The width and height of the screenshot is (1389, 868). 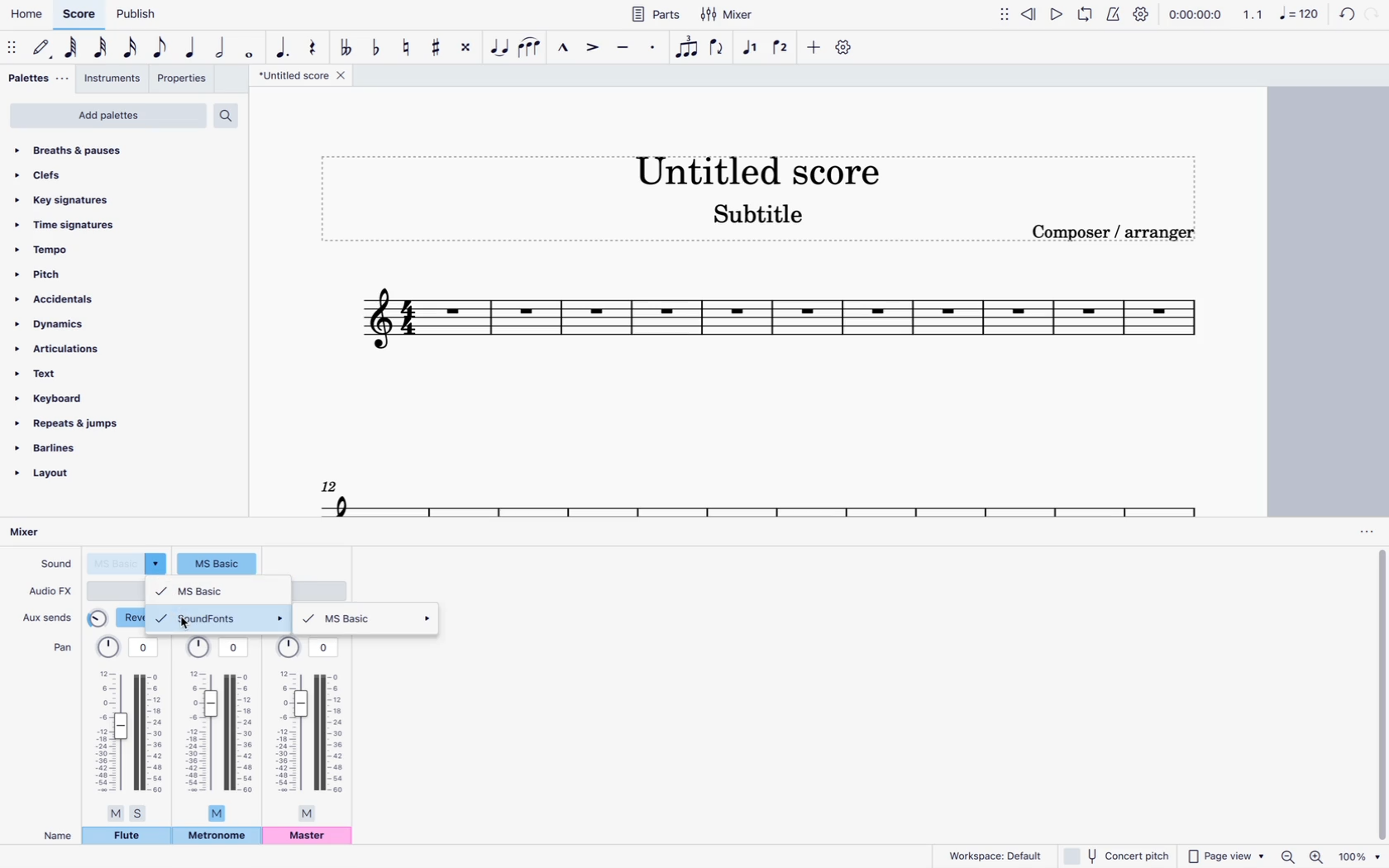 I want to click on tuplet, so click(x=688, y=51).